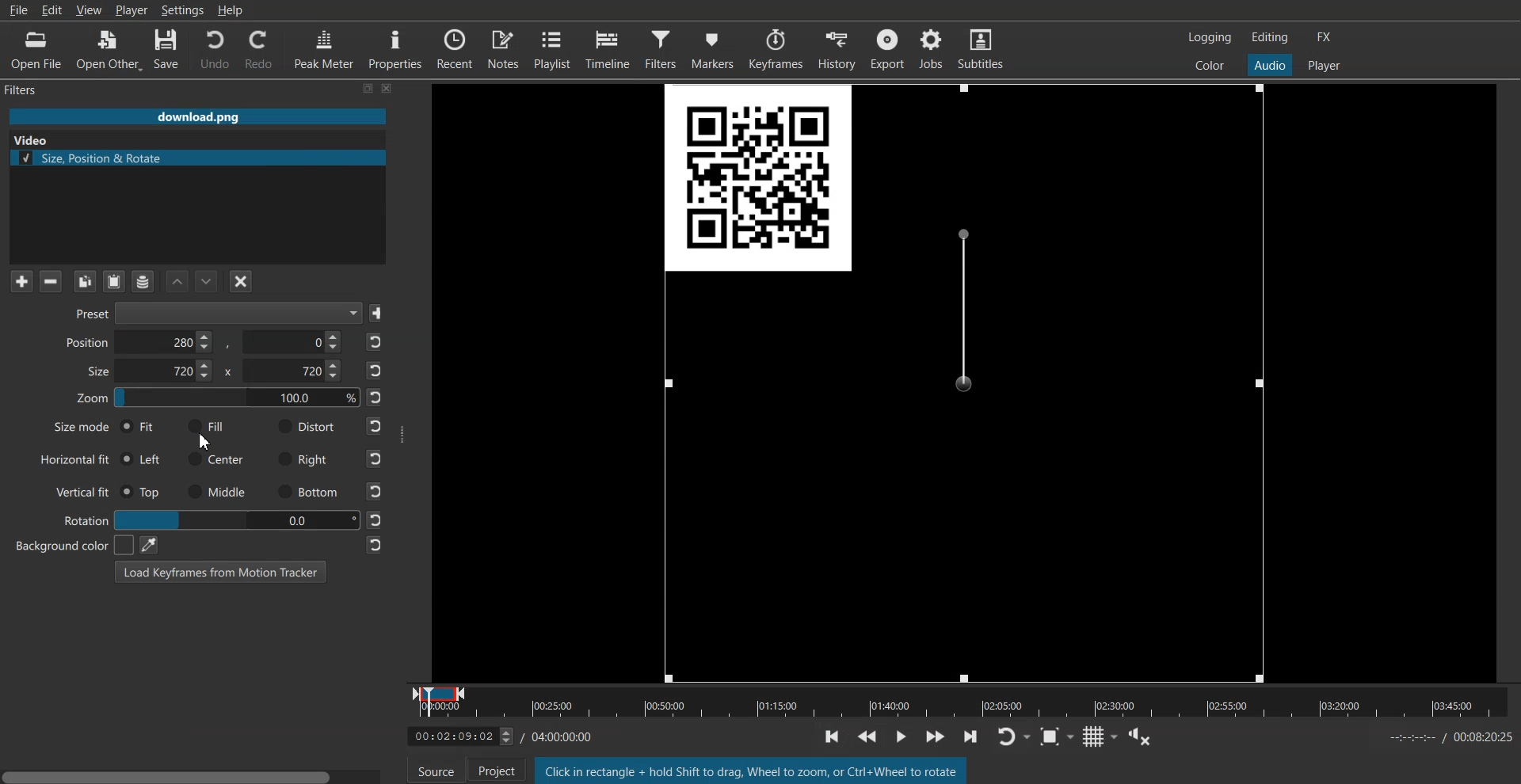 This screenshot has height=784, width=1521. Describe the element at coordinates (197, 158) in the screenshot. I see `Size, Position & Rotate` at that location.